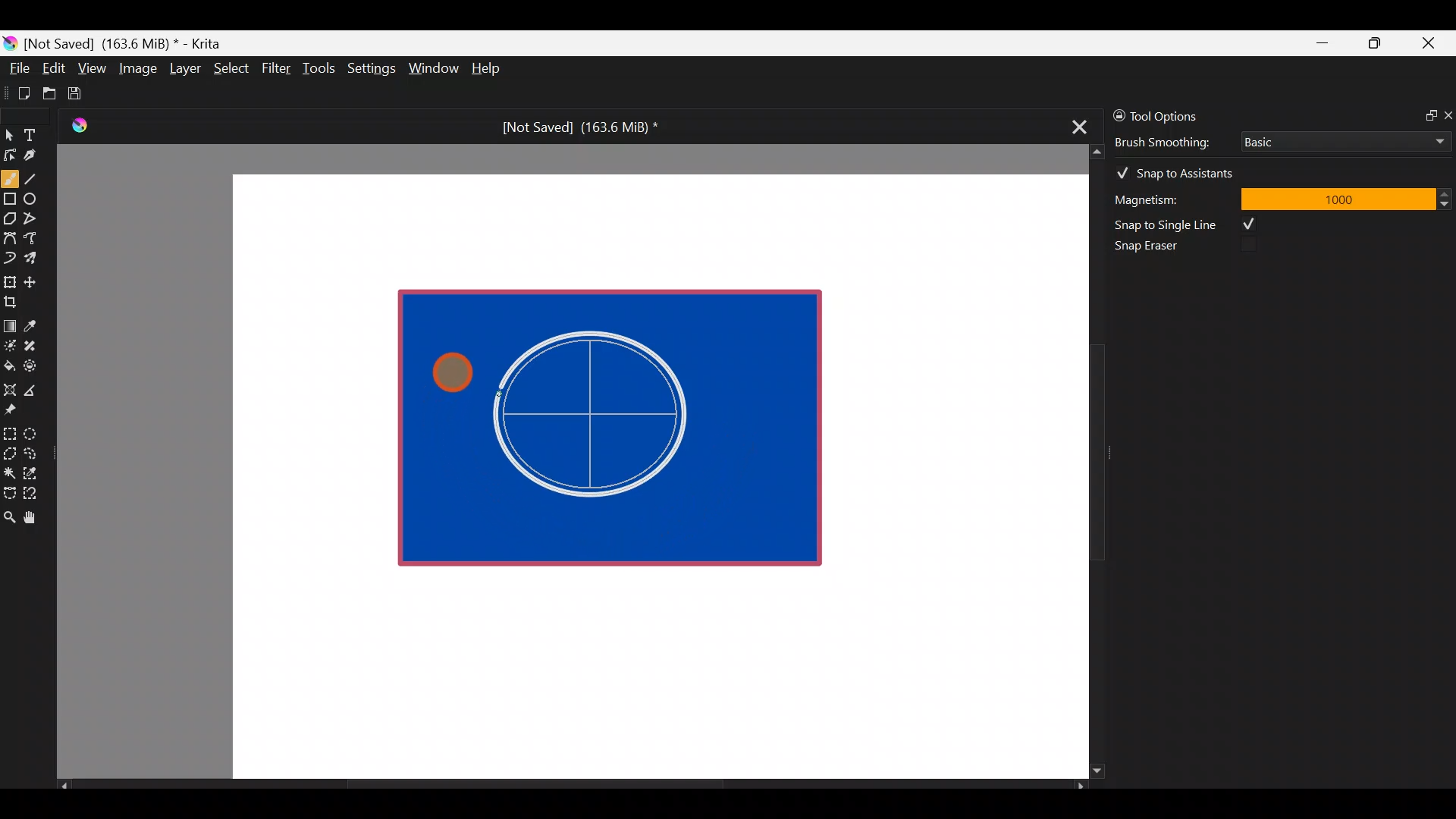 This screenshot has height=819, width=1456. Describe the element at coordinates (10, 42) in the screenshot. I see `Krita logo` at that location.